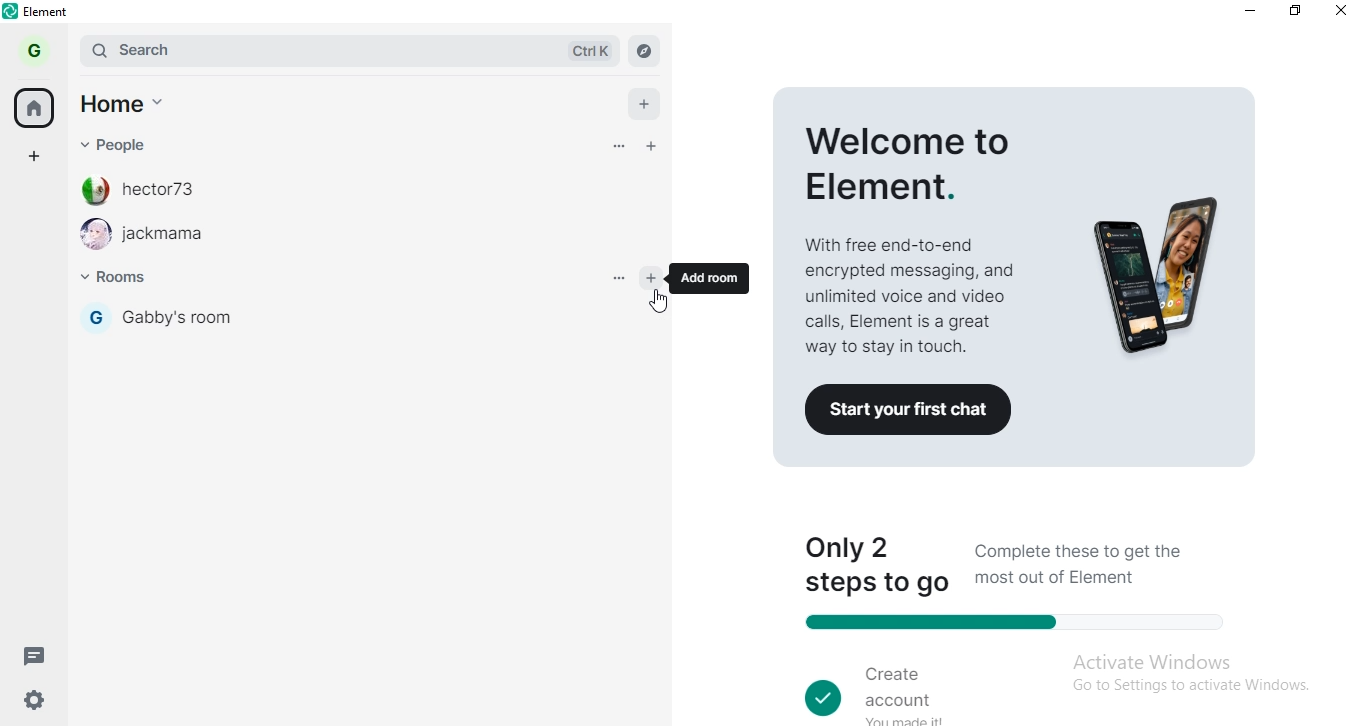 This screenshot has width=1366, height=726. I want to click on rooms, so click(115, 279).